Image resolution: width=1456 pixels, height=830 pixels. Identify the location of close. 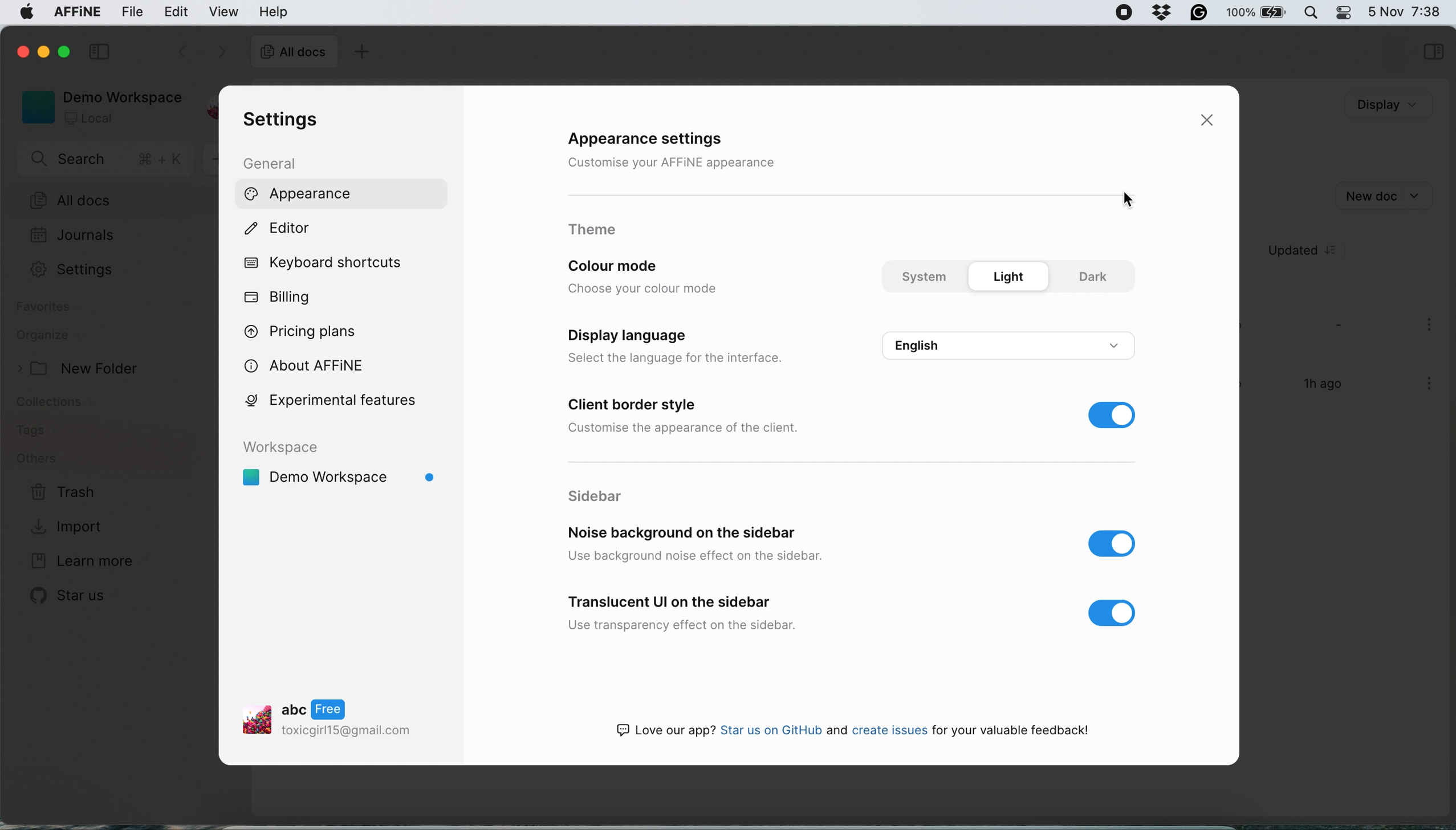
(21, 50).